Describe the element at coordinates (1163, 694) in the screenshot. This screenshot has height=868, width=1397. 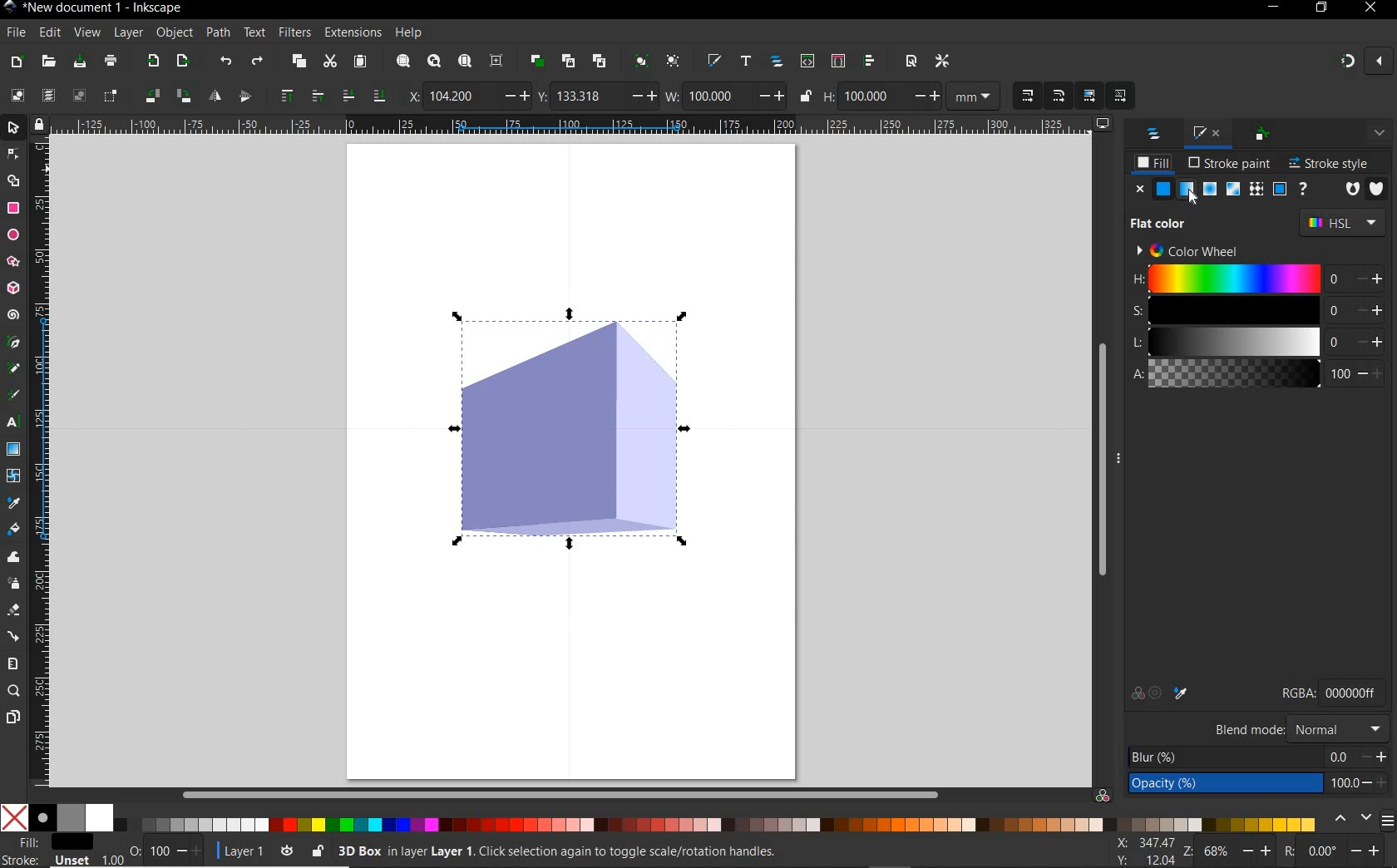
I see `color icons` at that location.